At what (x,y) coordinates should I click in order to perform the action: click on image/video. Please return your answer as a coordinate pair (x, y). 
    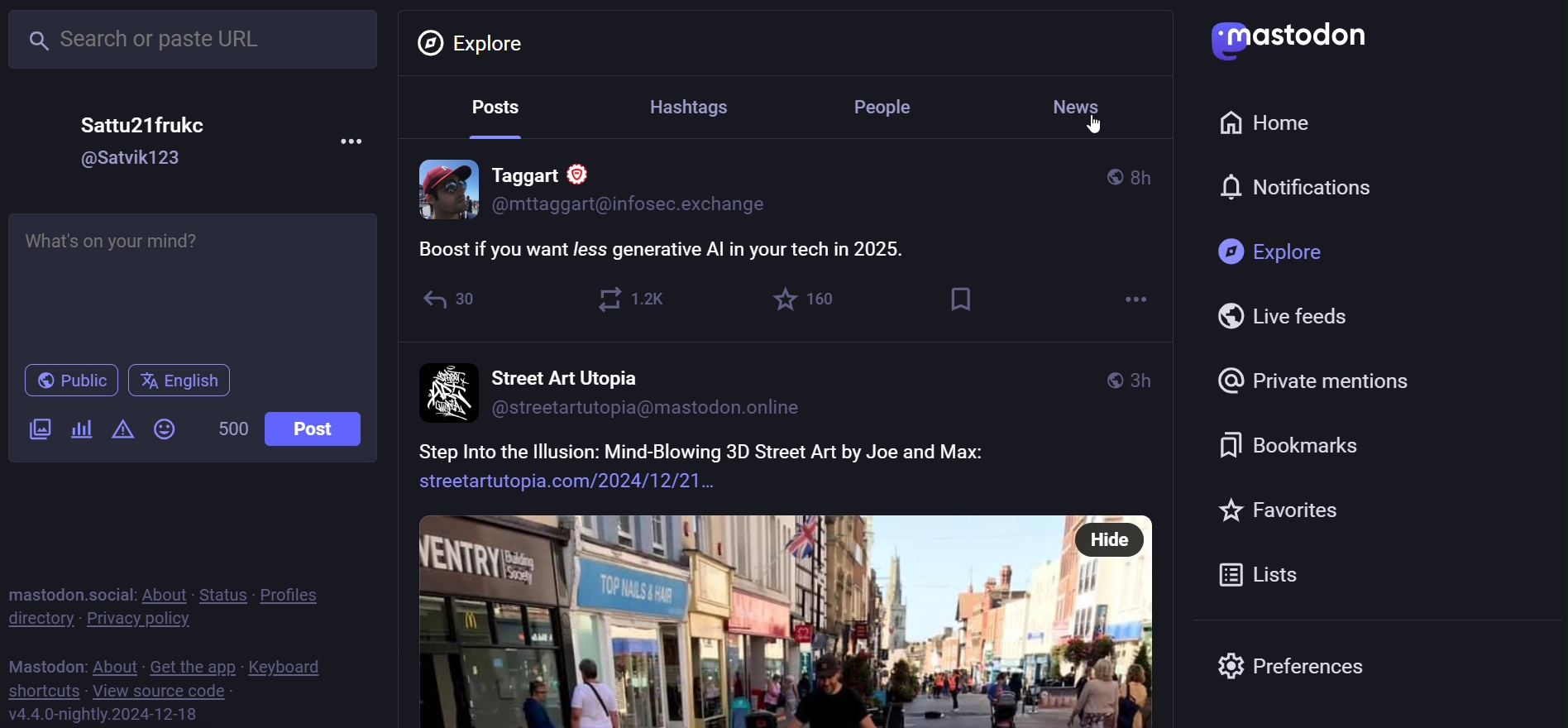
    Looking at the image, I should click on (36, 429).